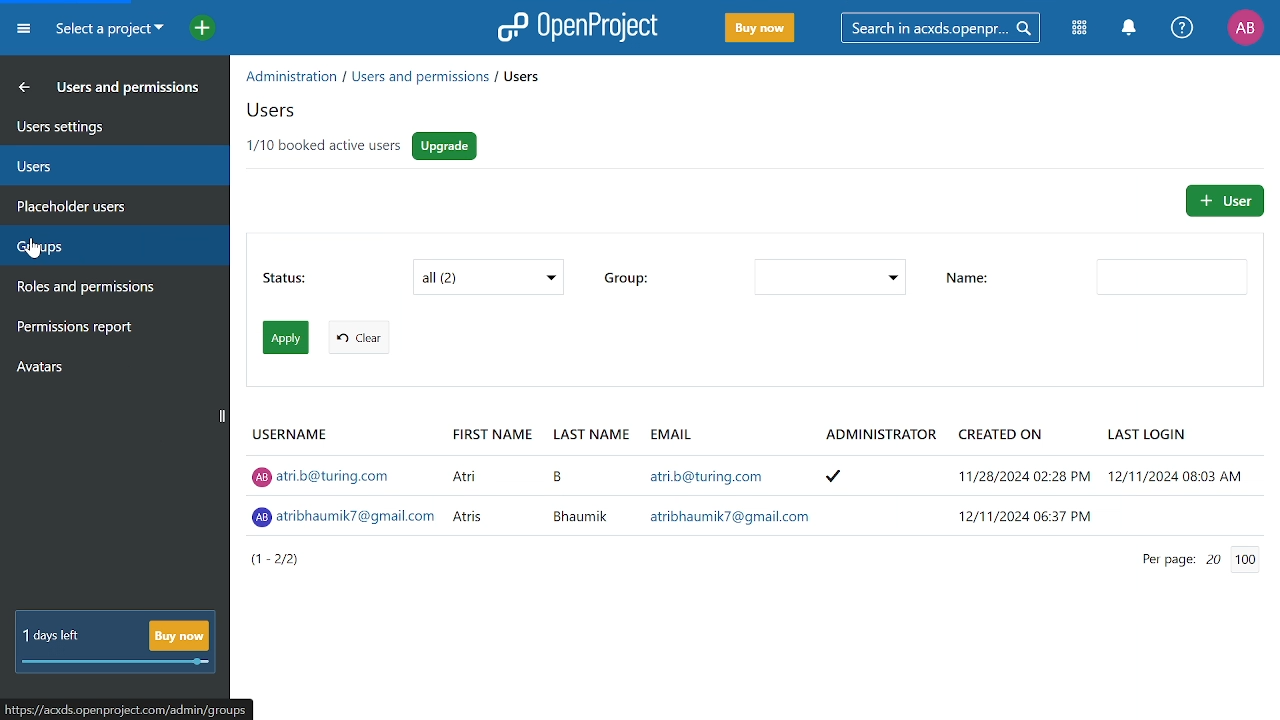 This screenshot has width=1280, height=720. What do you see at coordinates (627, 276) in the screenshot?
I see `group` at bounding box center [627, 276].